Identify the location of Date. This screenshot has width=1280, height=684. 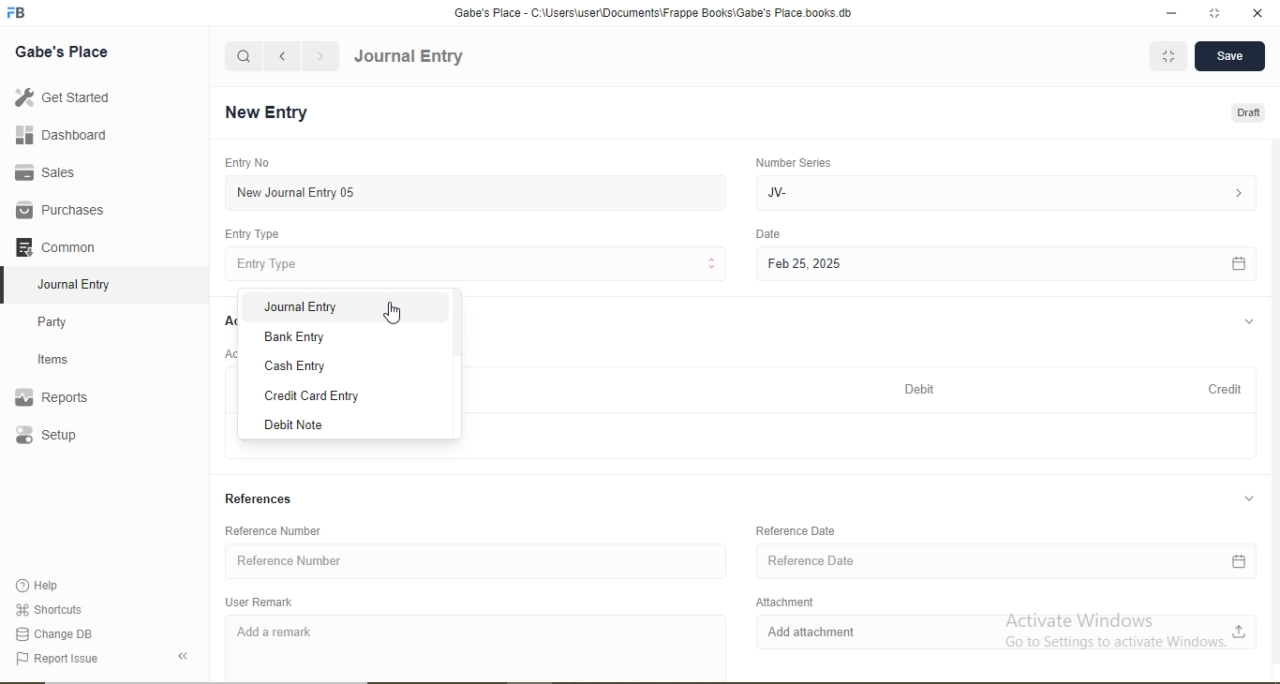
(769, 234).